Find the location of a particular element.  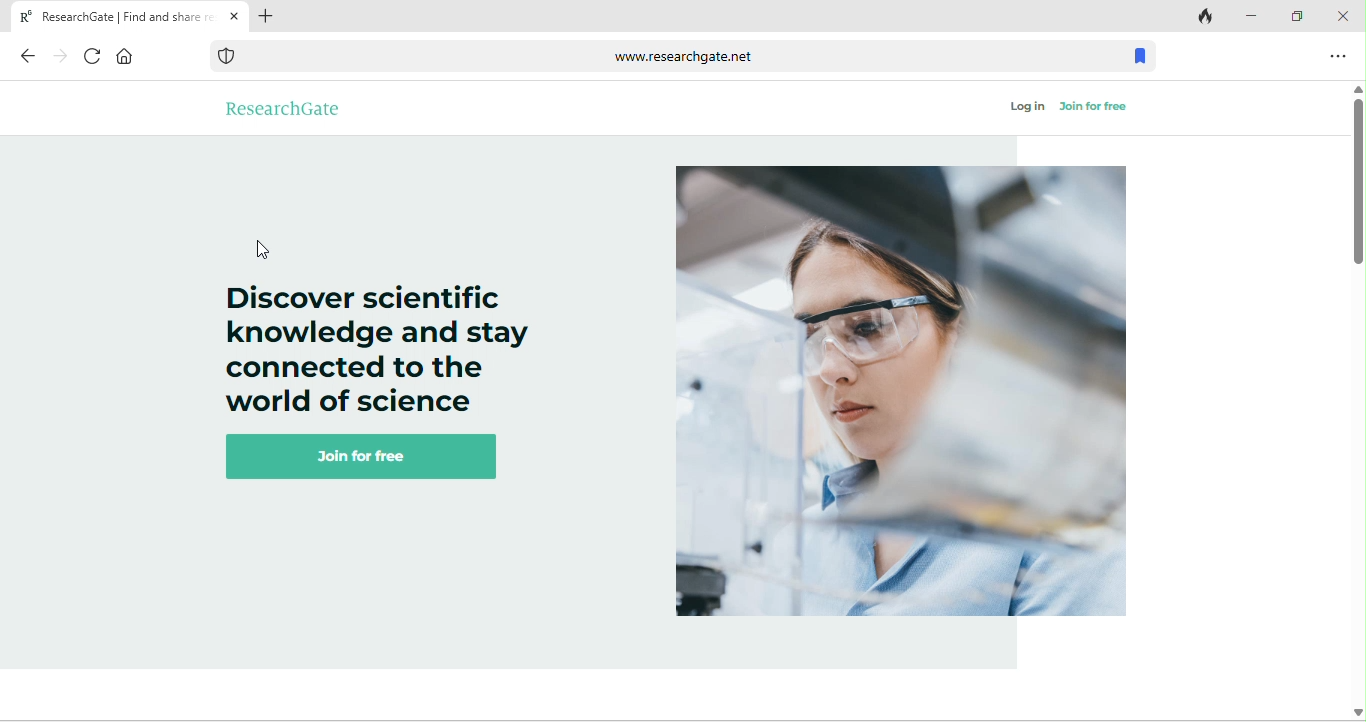

join for free is located at coordinates (362, 457).